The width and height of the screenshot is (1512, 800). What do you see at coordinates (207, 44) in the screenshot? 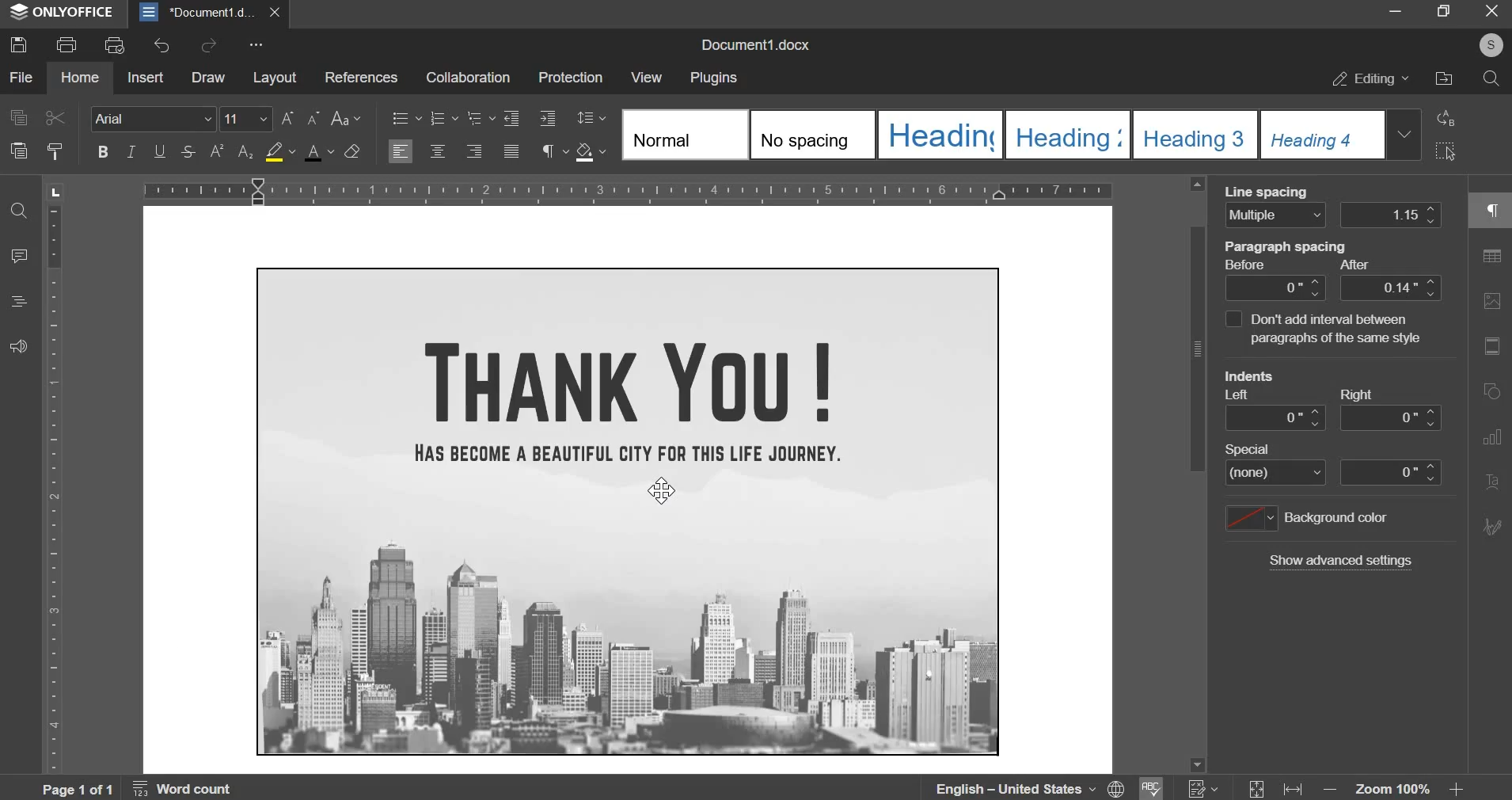
I see `redo` at bounding box center [207, 44].